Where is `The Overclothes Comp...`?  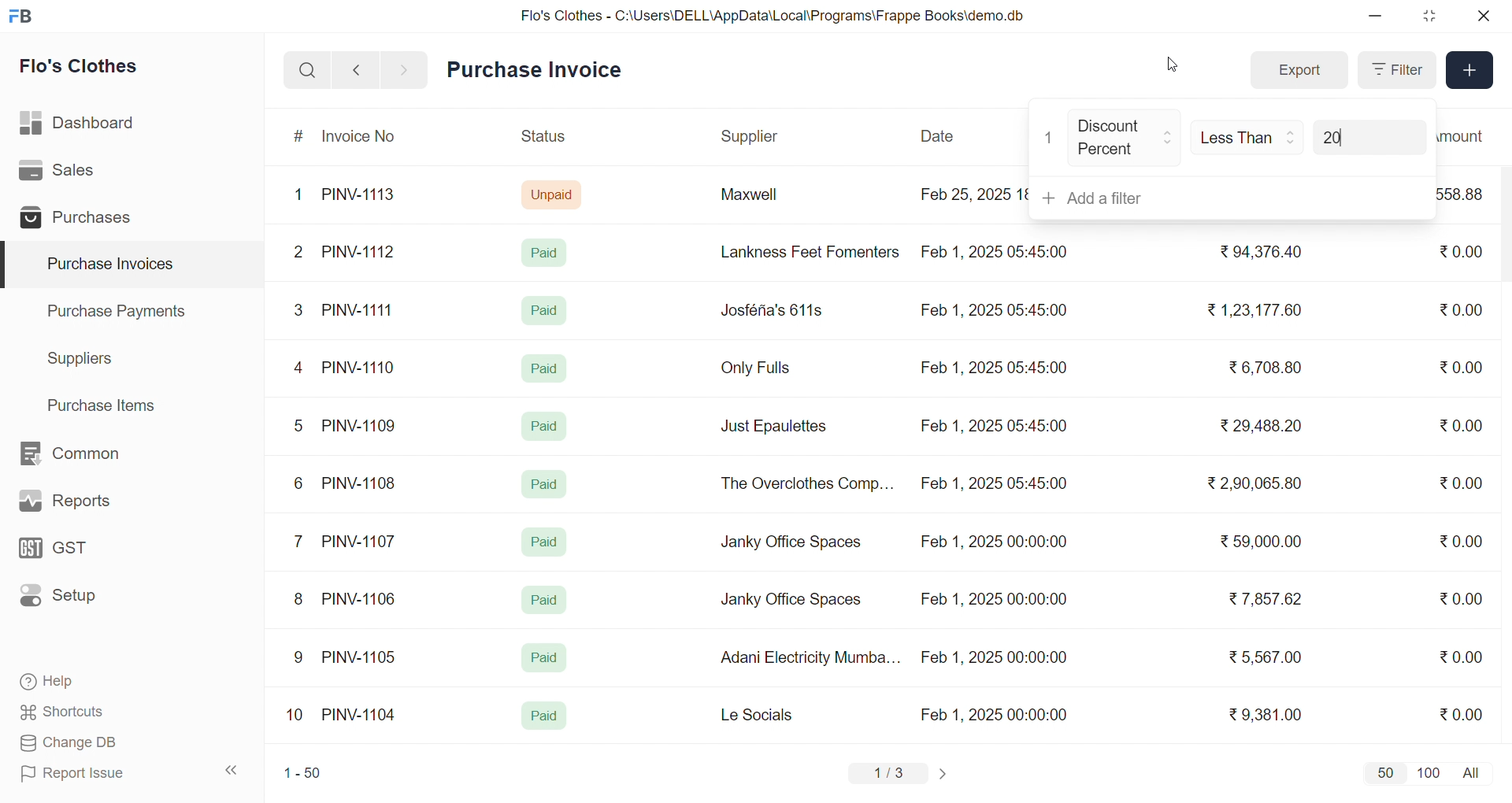
The Overclothes Comp... is located at coordinates (805, 483).